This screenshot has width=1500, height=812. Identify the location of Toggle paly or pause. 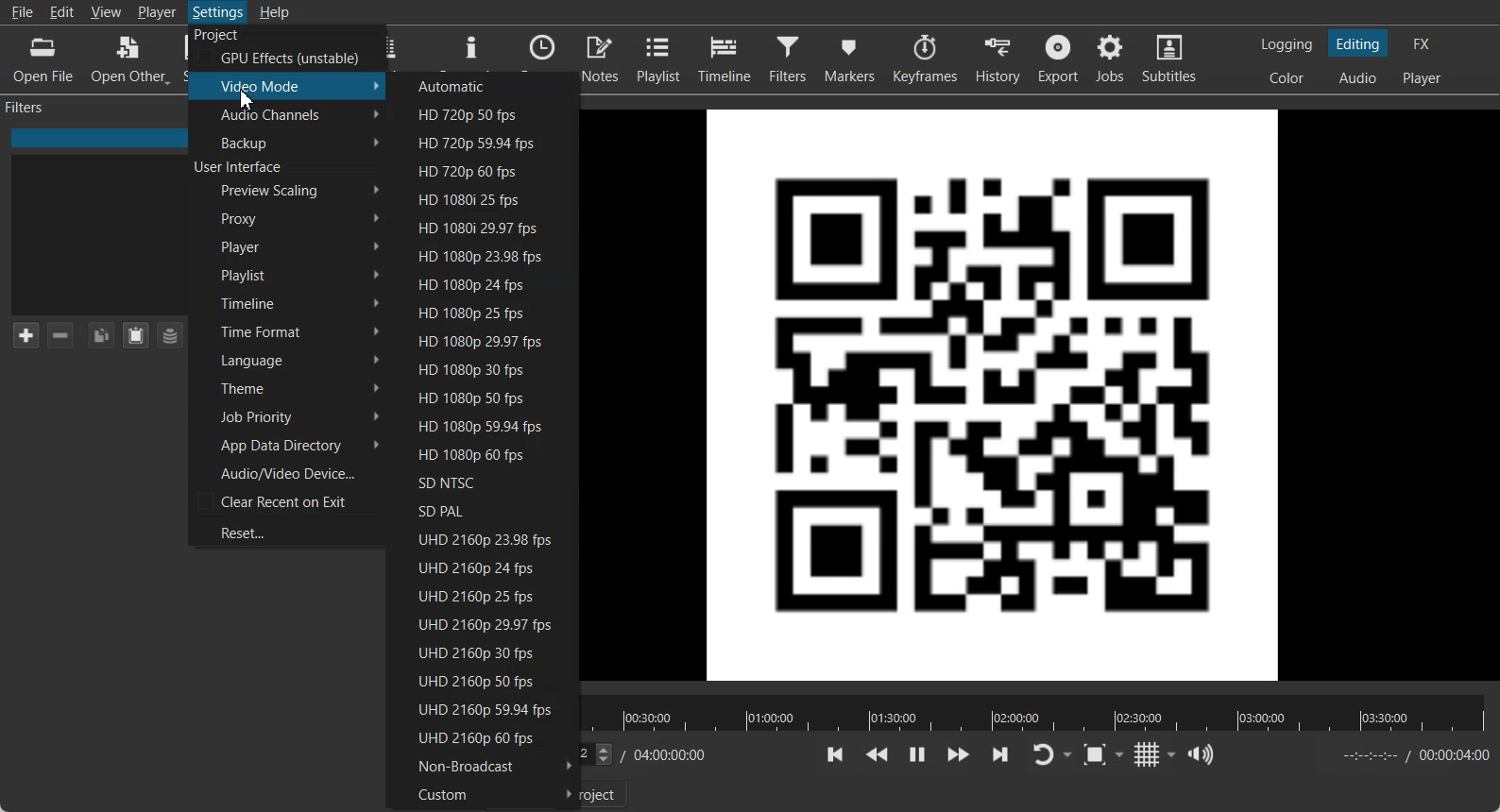
(915, 755).